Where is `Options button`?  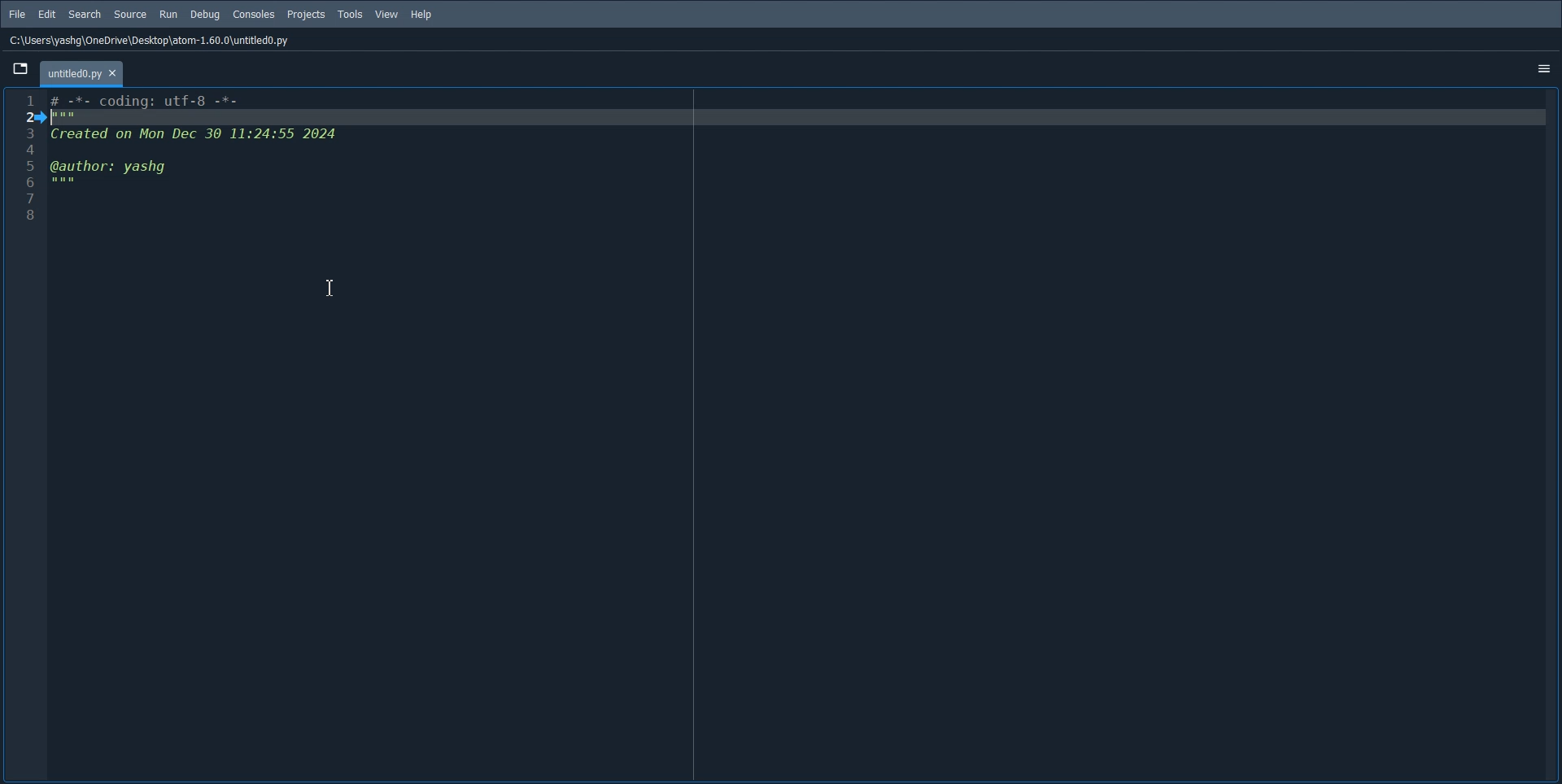
Options button is located at coordinates (1541, 68).